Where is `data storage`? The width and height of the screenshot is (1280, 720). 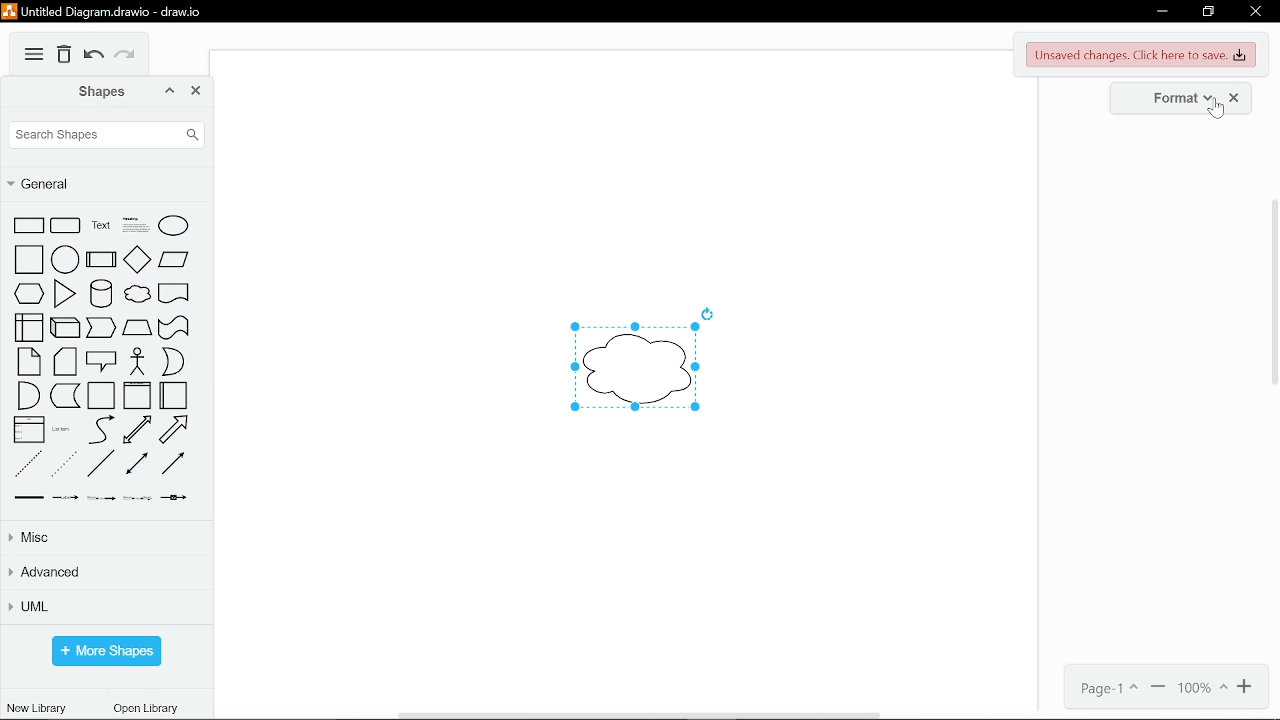 data storage is located at coordinates (66, 396).